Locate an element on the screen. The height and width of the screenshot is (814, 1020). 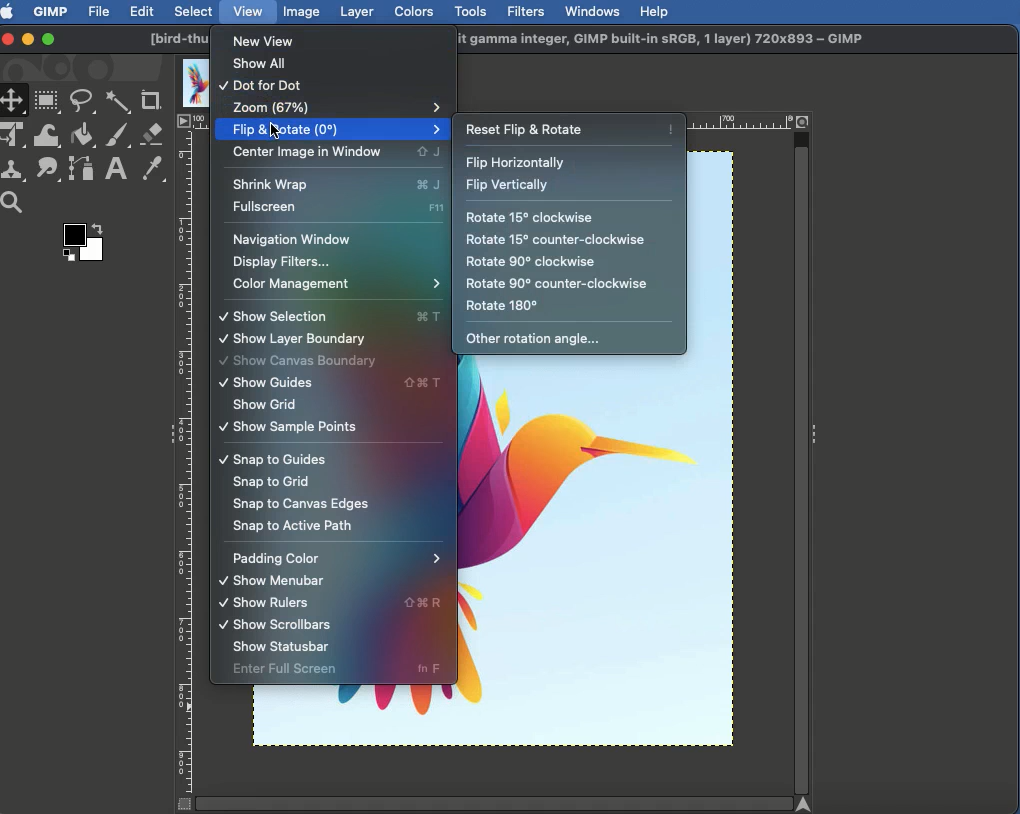
Show layer boundary is located at coordinates (292, 339).